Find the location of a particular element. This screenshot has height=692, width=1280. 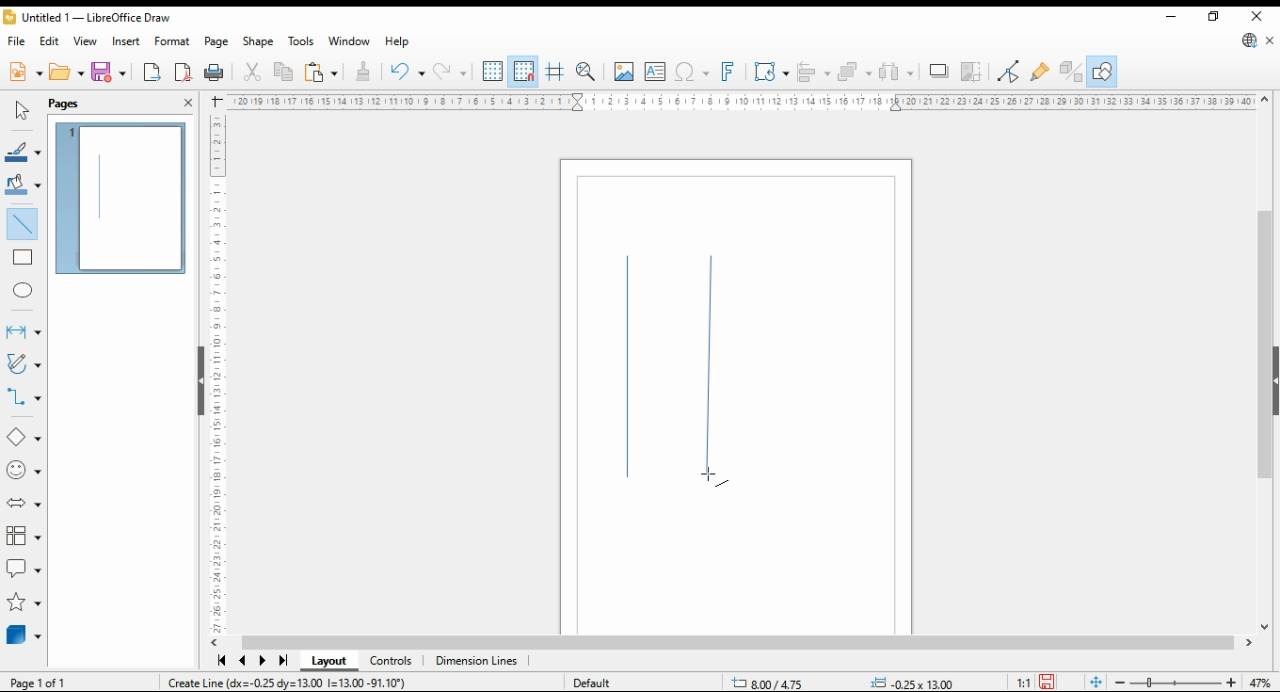

scroll bar is located at coordinates (738, 642).